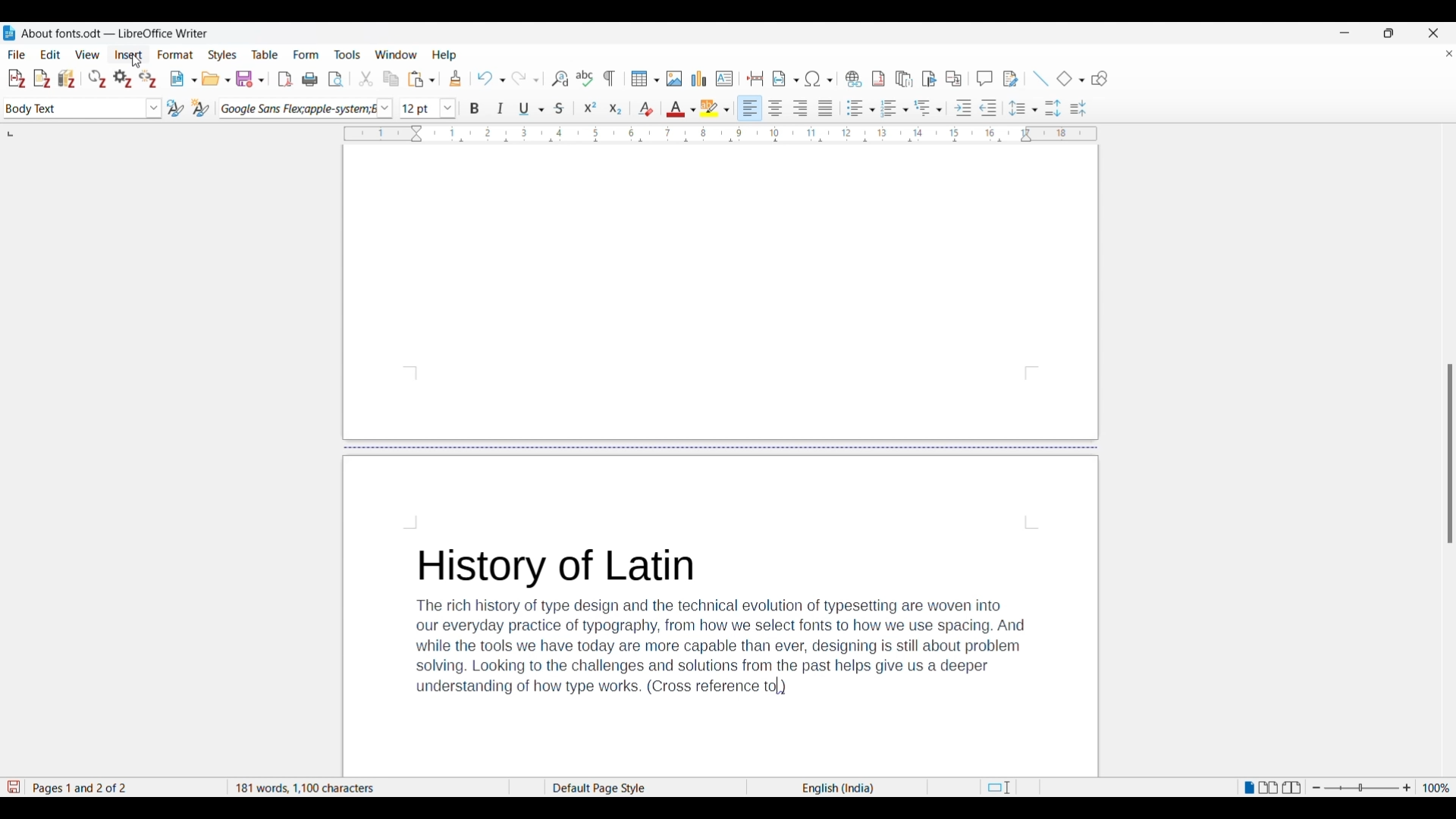  I want to click on Text color options, so click(680, 109).